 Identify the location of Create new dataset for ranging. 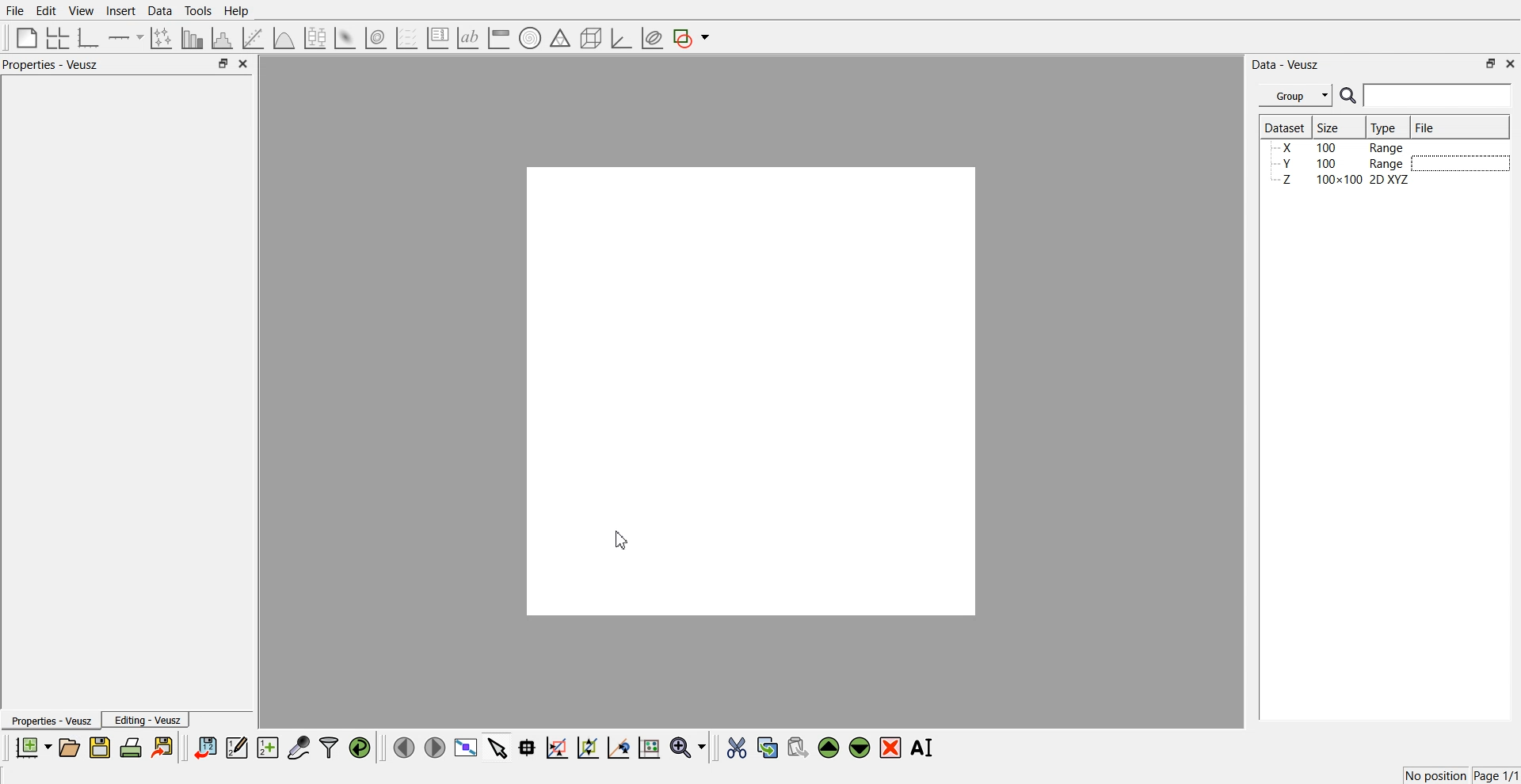
(267, 748).